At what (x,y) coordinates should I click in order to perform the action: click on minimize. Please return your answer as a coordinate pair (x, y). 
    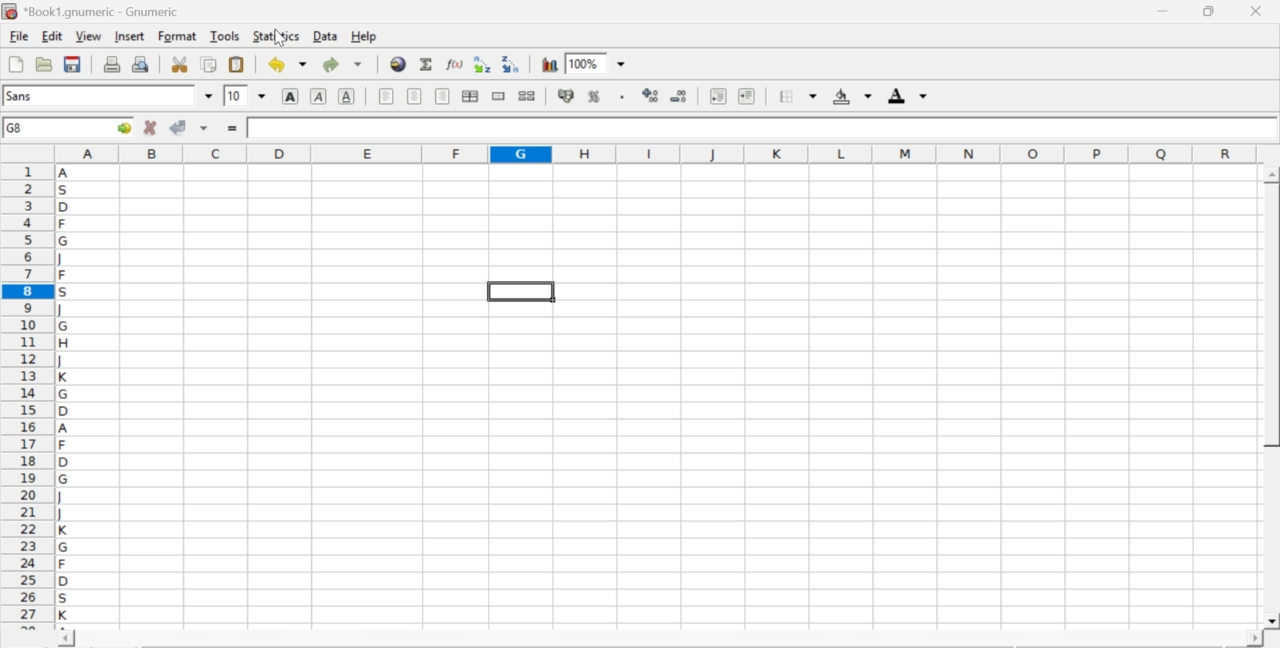
    Looking at the image, I should click on (1164, 11).